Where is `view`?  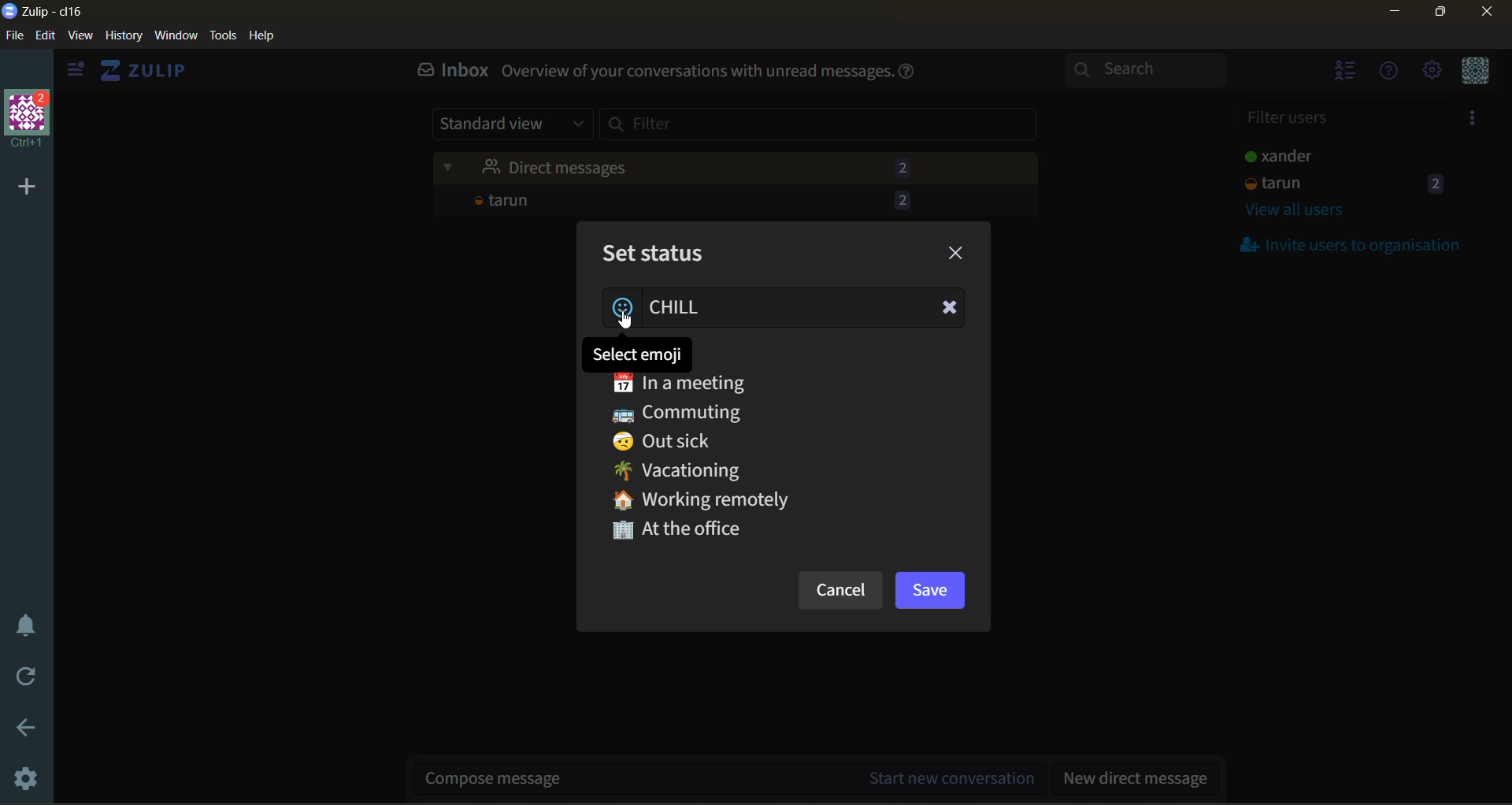 view is located at coordinates (85, 36).